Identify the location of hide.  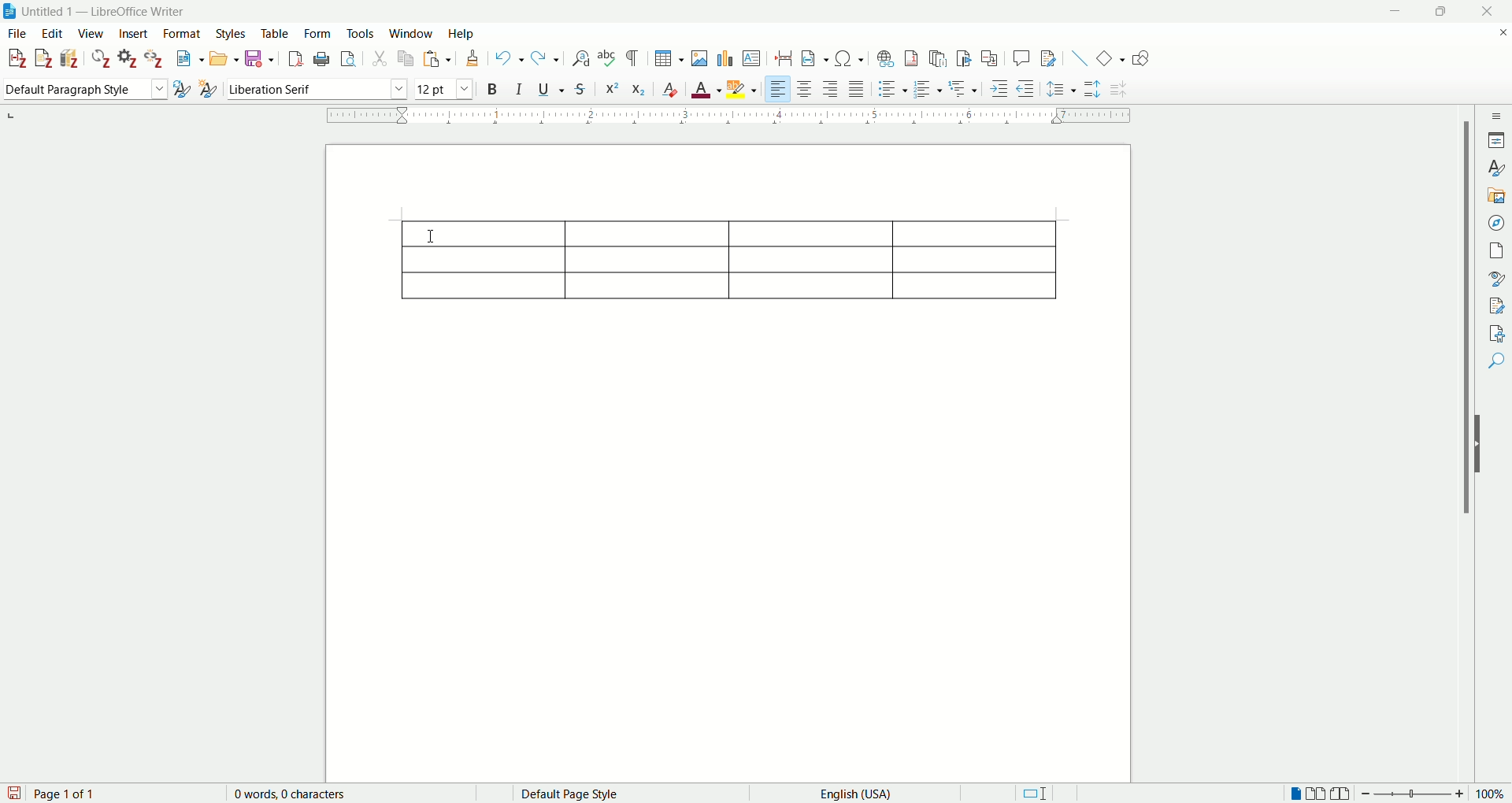
(1477, 442).